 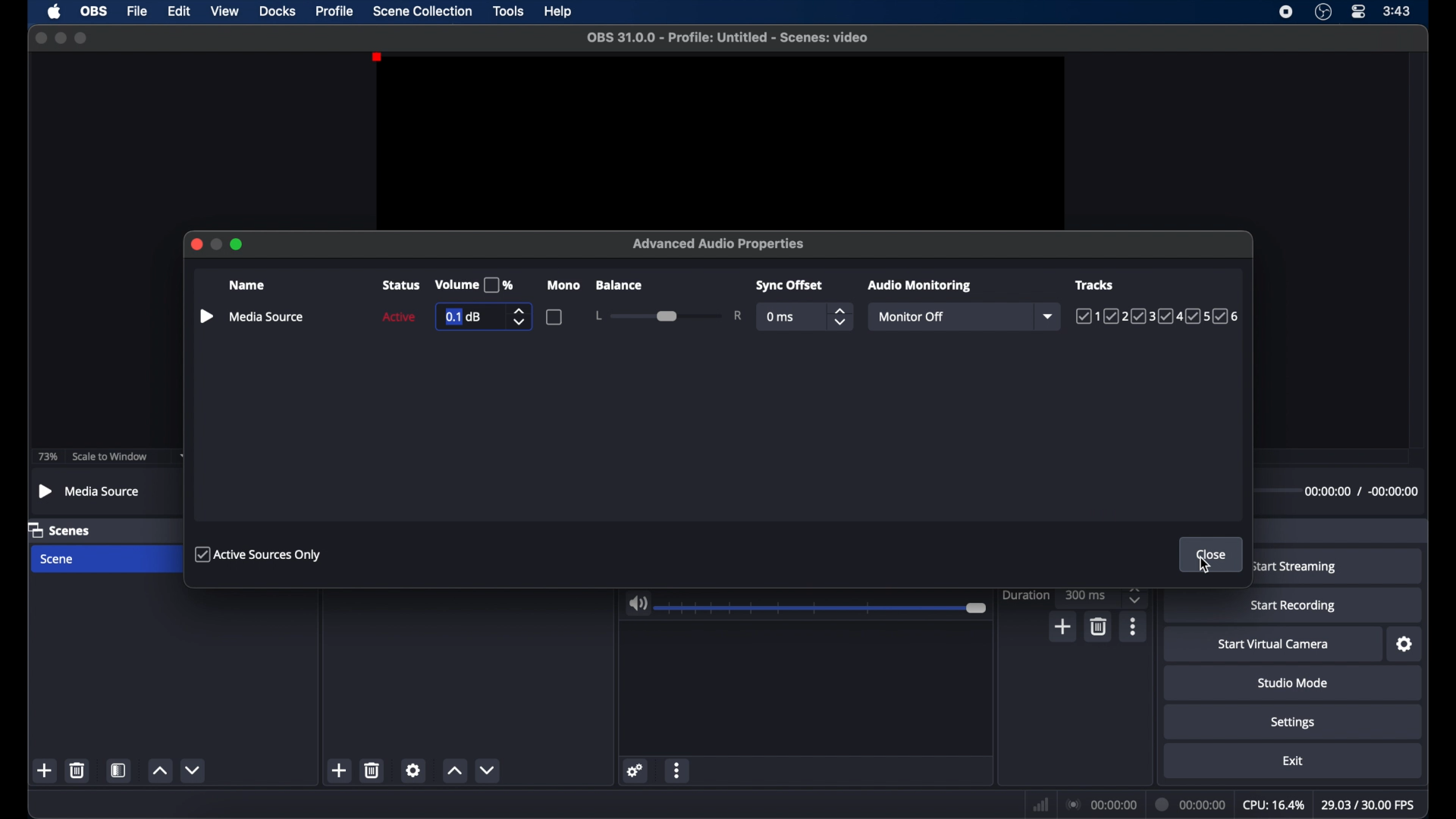 What do you see at coordinates (920, 286) in the screenshot?
I see `audio monitoring` at bounding box center [920, 286].